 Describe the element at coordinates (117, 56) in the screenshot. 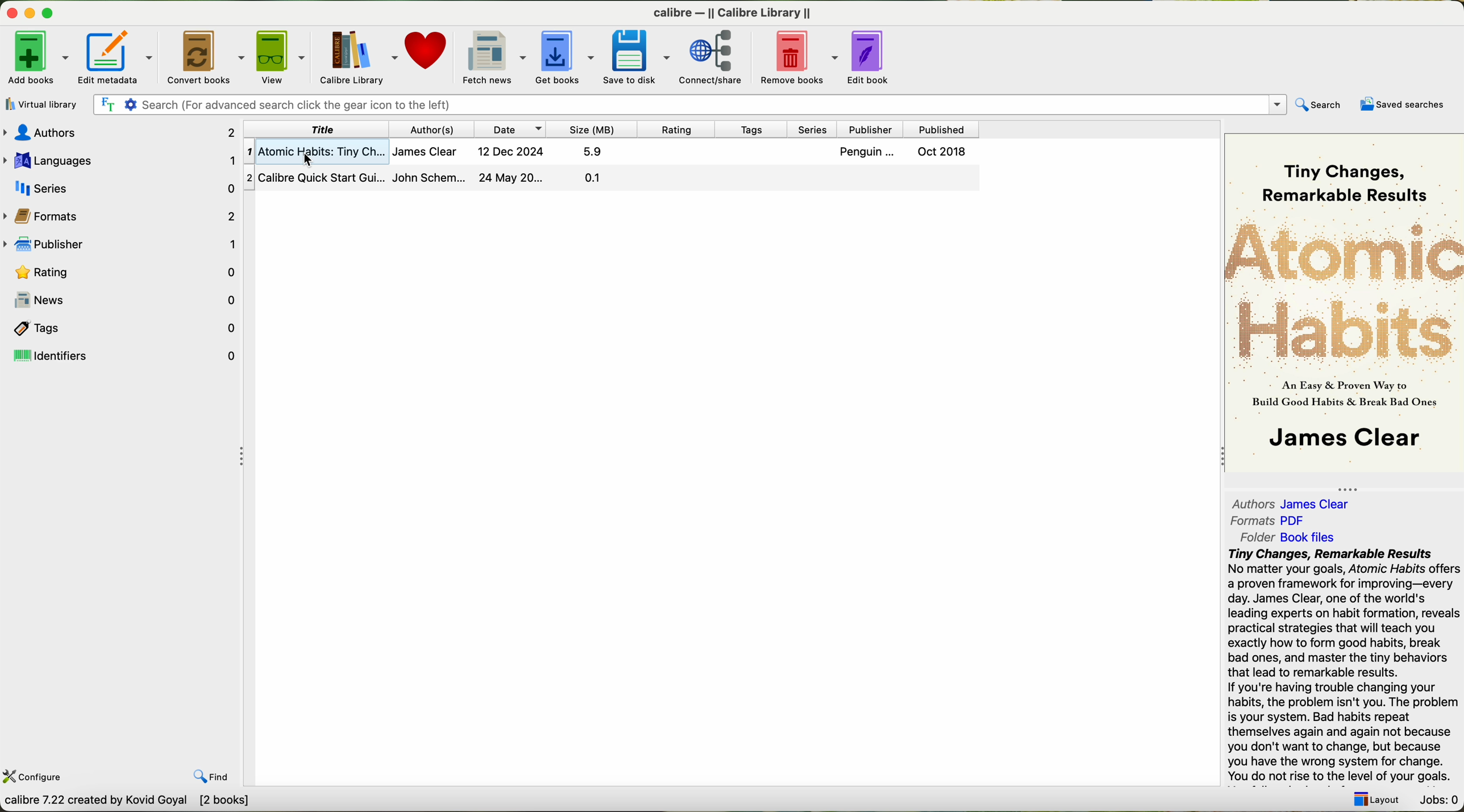

I see `edit metadata` at that location.